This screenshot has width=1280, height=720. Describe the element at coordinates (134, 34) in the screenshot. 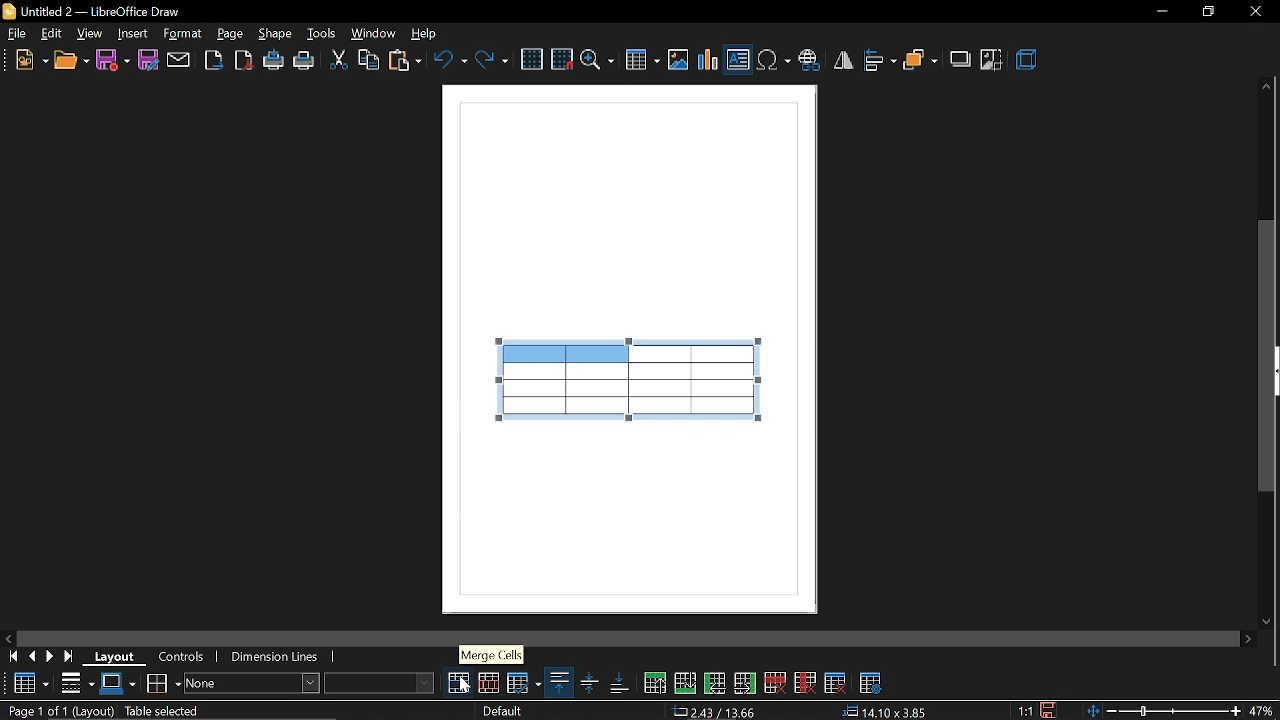

I see `insert` at that location.